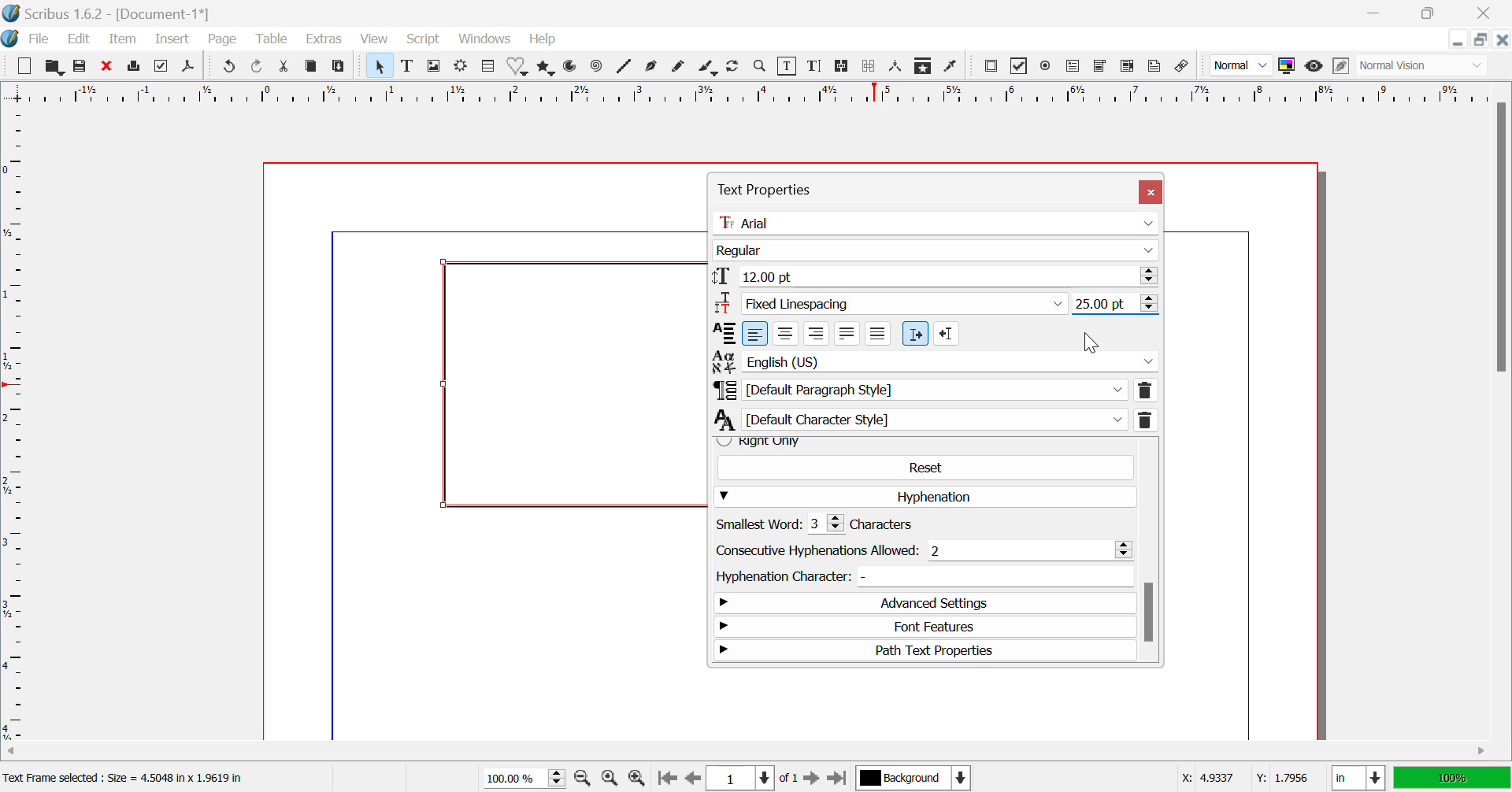 This screenshot has width=1512, height=792. I want to click on English (US), so click(935, 361).